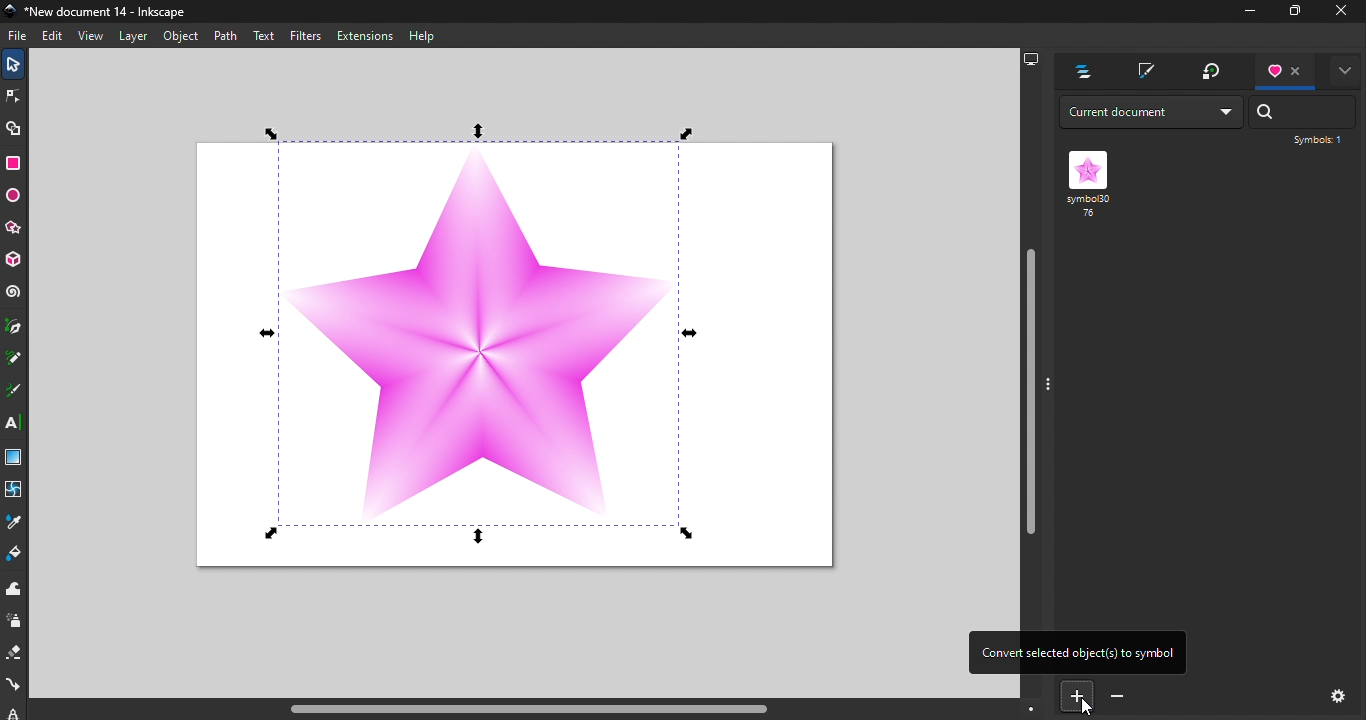 This screenshot has width=1366, height=720. I want to click on Vertical scroll bar, so click(1030, 334).